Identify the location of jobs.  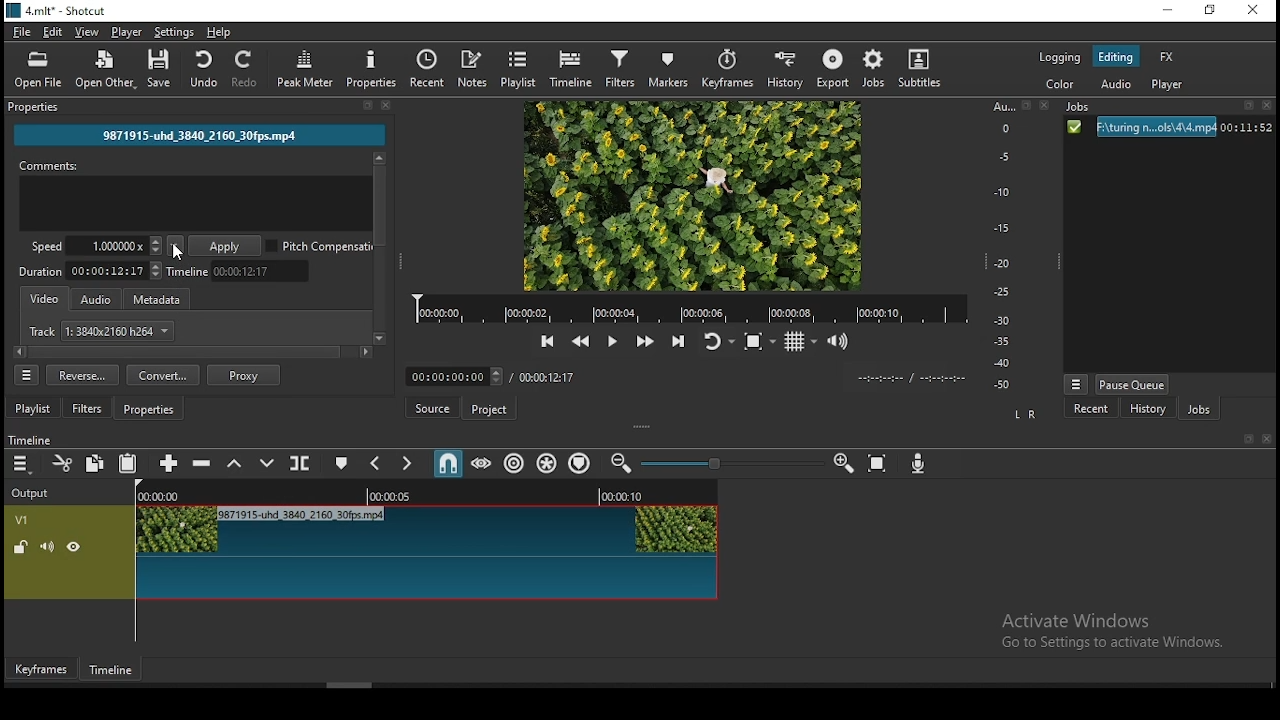
(1198, 411).